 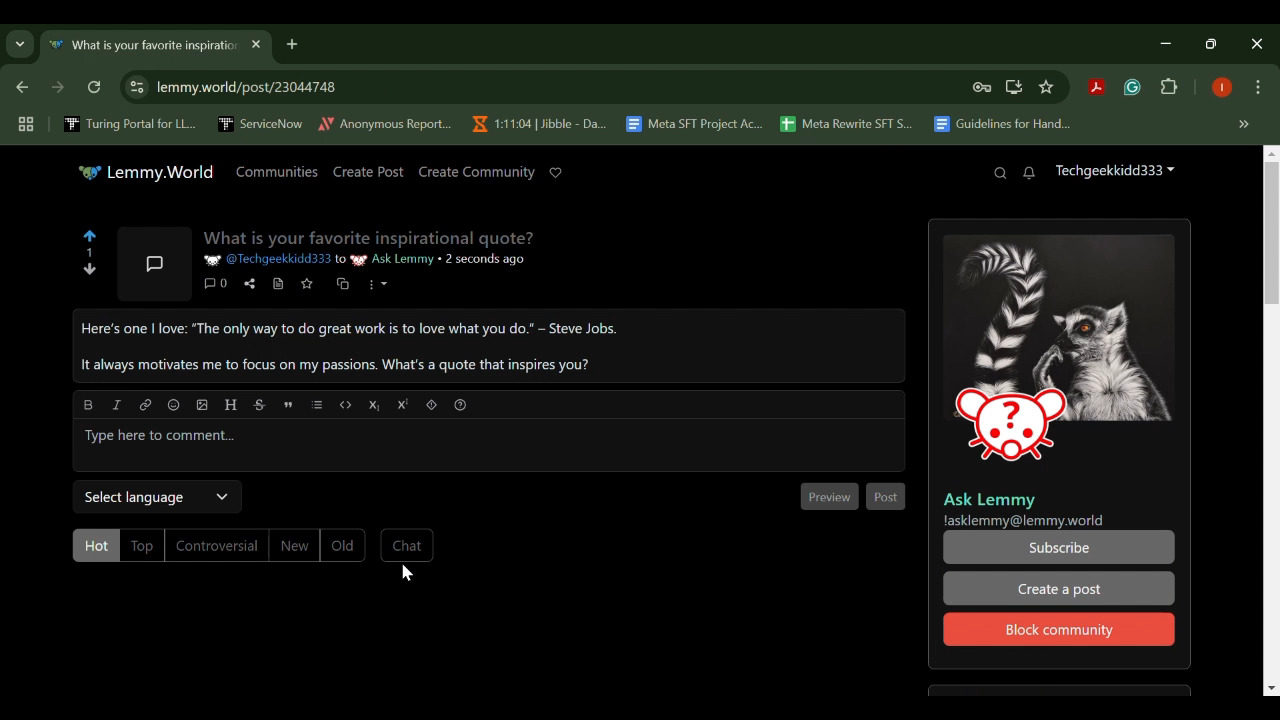 What do you see at coordinates (403, 403) in the screenshot?
I see `Superscript` at bounding box center [403, 403].